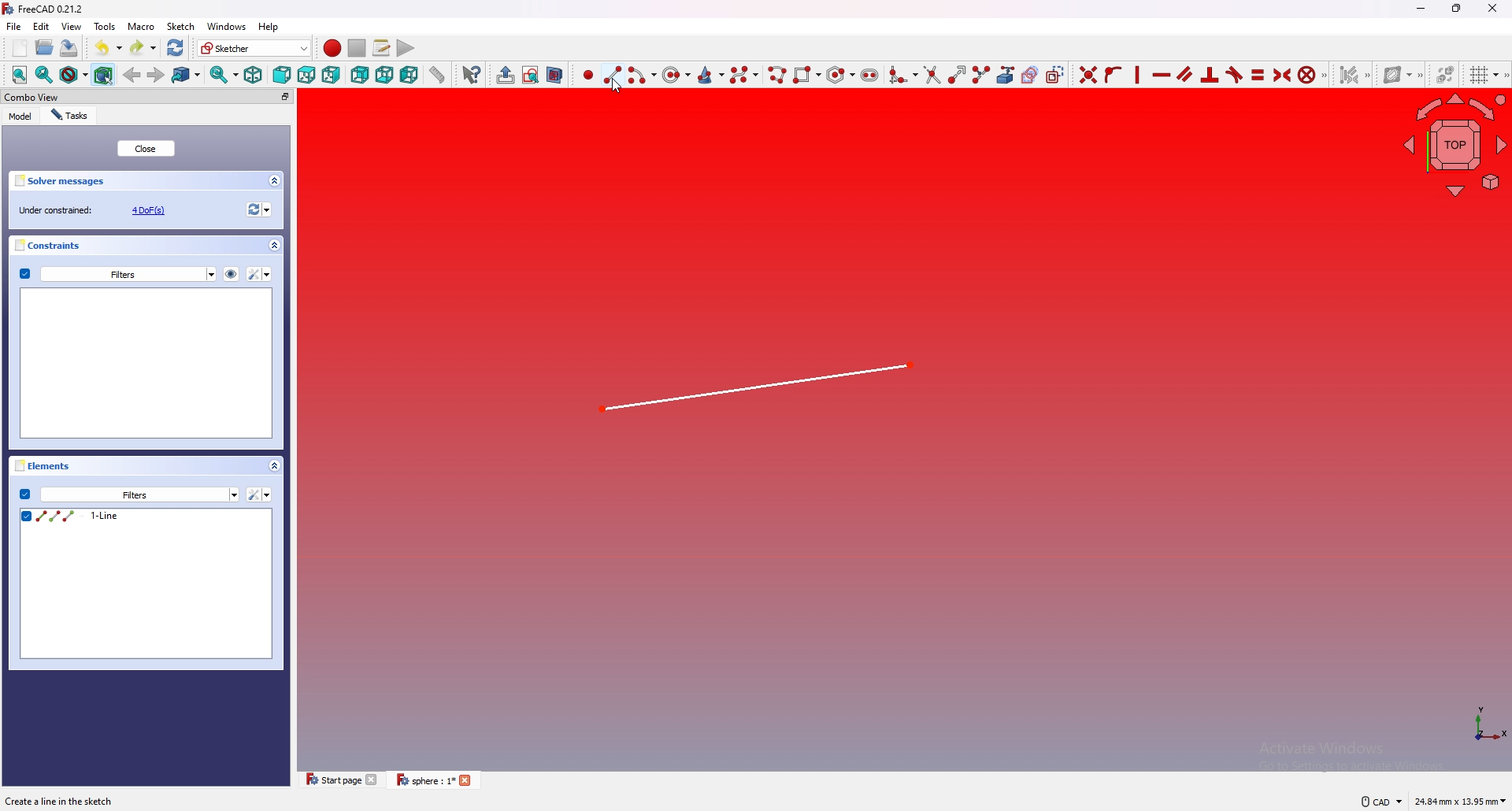 This screenshot has width=1512, height=811. I want to click on Windows, so click(227, 27).